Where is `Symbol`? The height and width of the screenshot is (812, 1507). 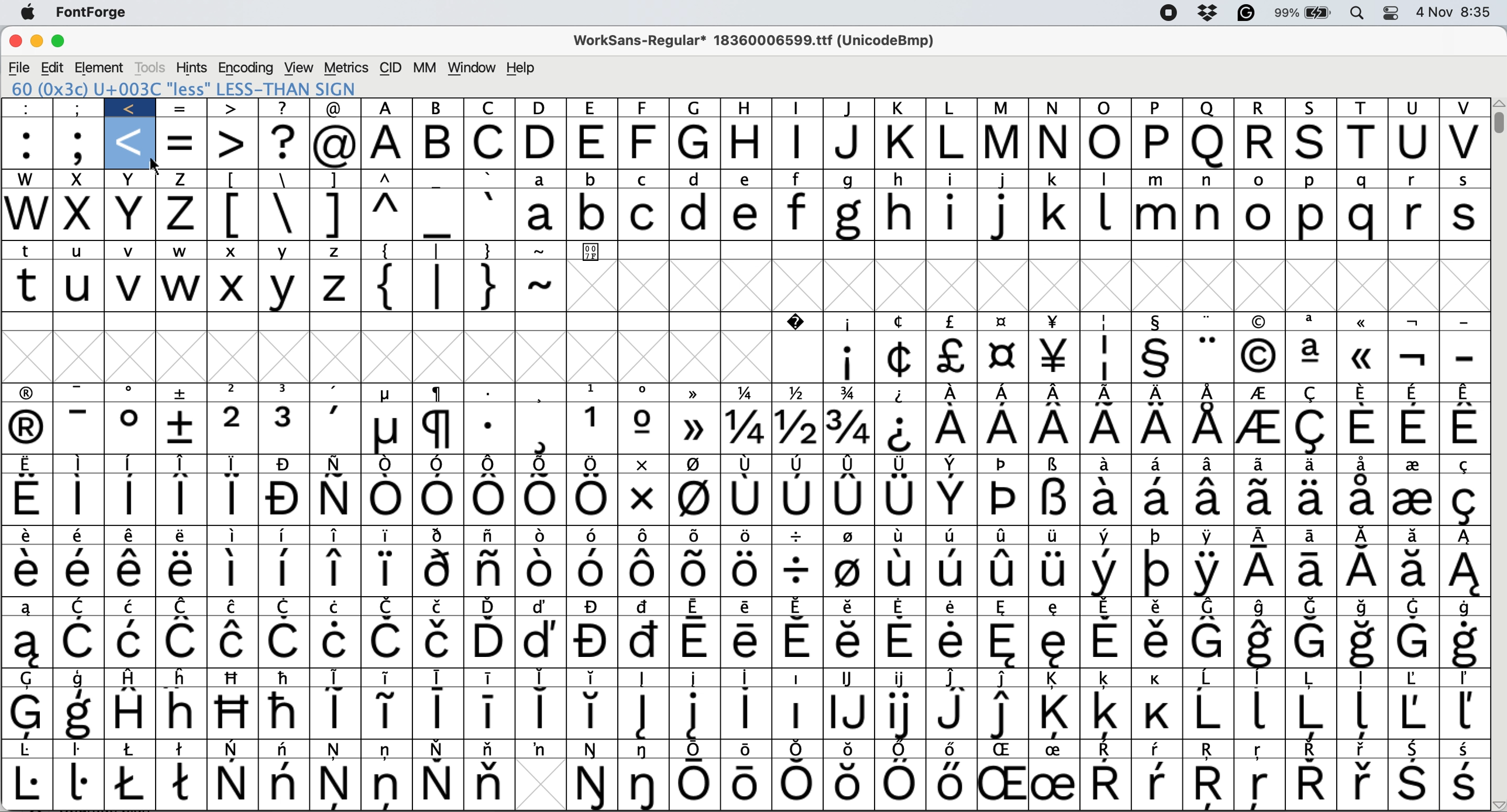
Symbol is located at coordinates (490, 569).